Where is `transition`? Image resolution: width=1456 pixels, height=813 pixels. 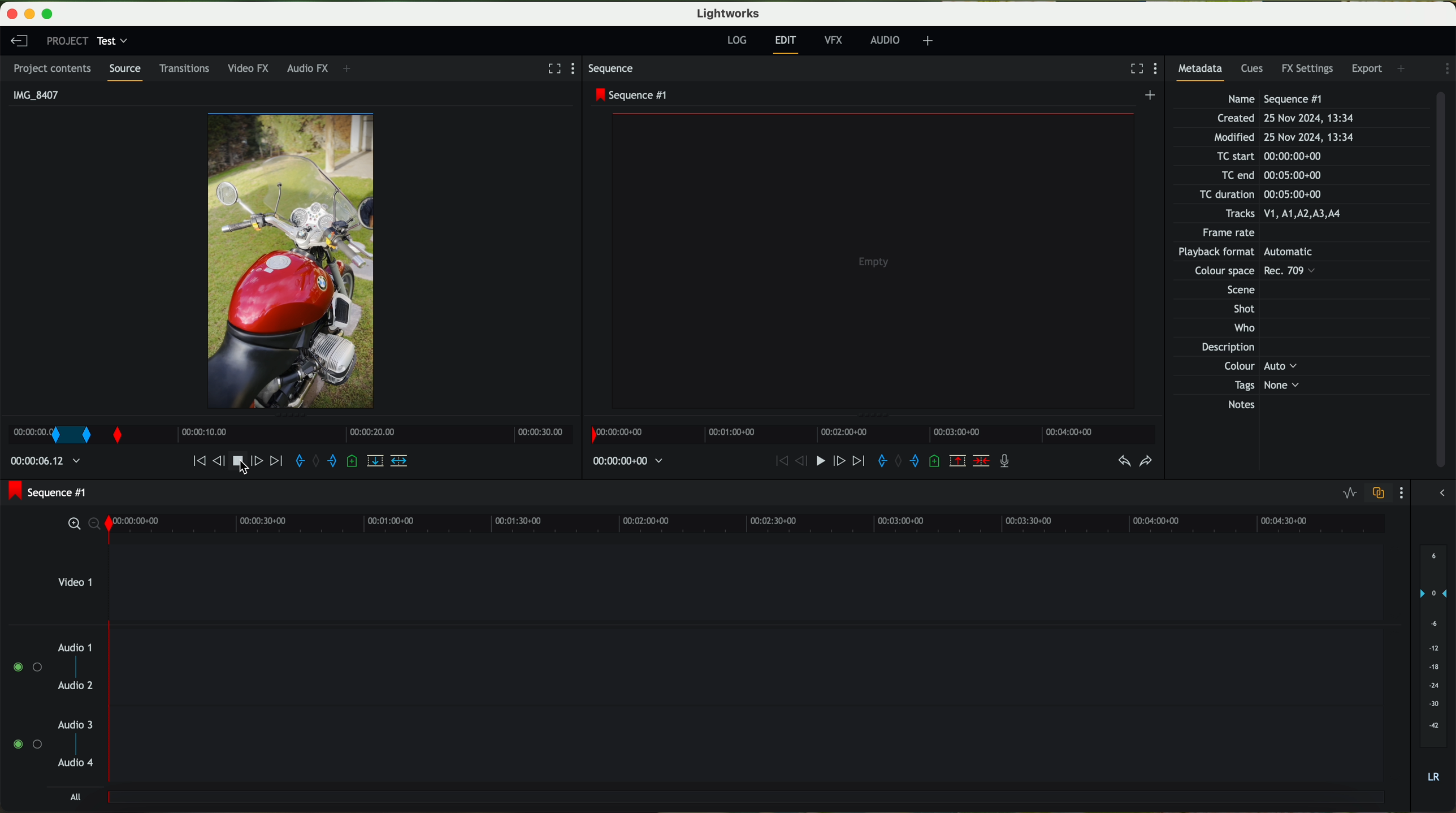
transition is located at coordinates (71, 436).